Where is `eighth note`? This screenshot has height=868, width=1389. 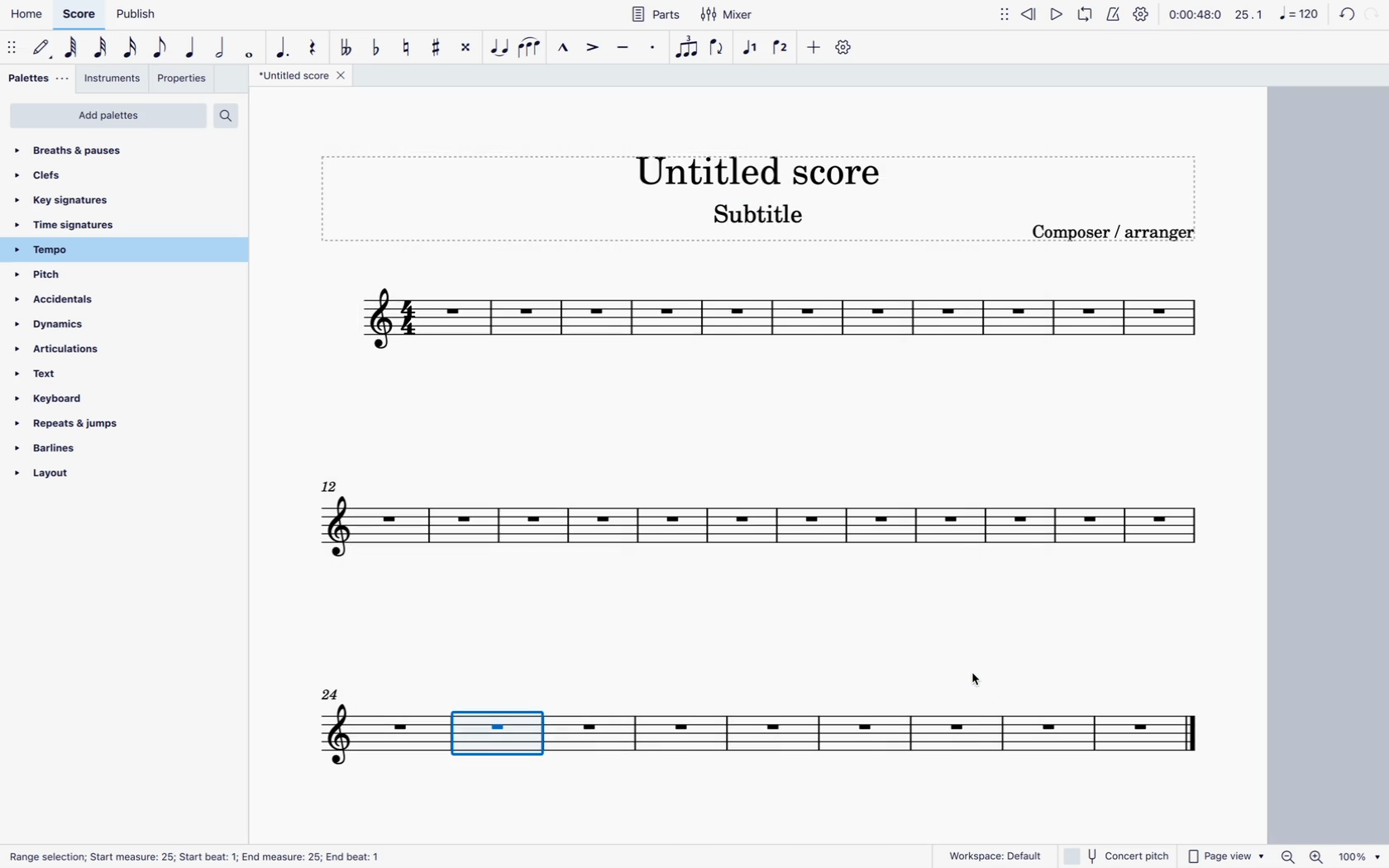 eighth note is located at coordinates (160, 47).